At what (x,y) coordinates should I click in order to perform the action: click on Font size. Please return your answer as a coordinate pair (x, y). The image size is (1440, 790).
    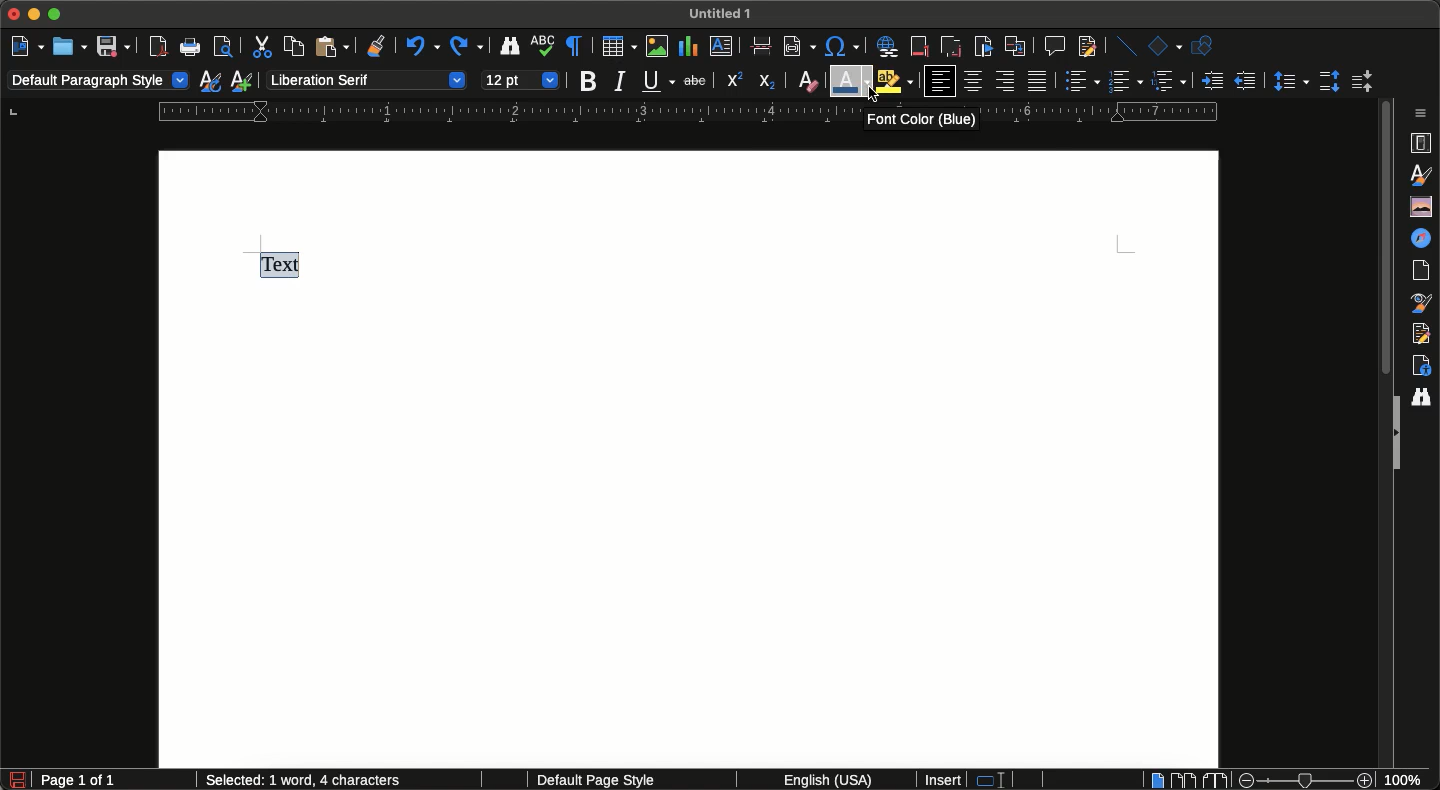
    Looking at the image, I should click on (521, 78).